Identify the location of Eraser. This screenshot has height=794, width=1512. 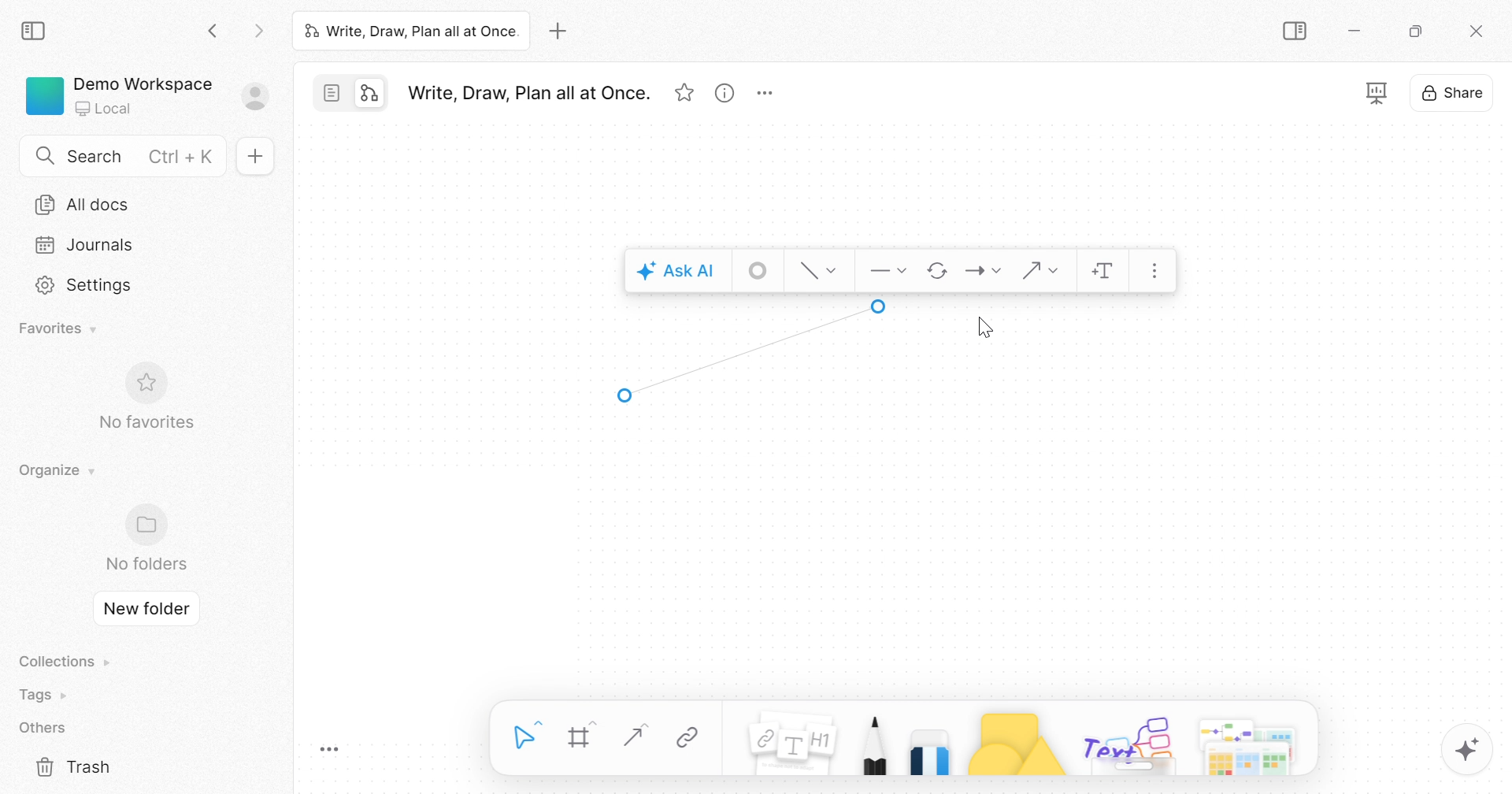
(931, 748).